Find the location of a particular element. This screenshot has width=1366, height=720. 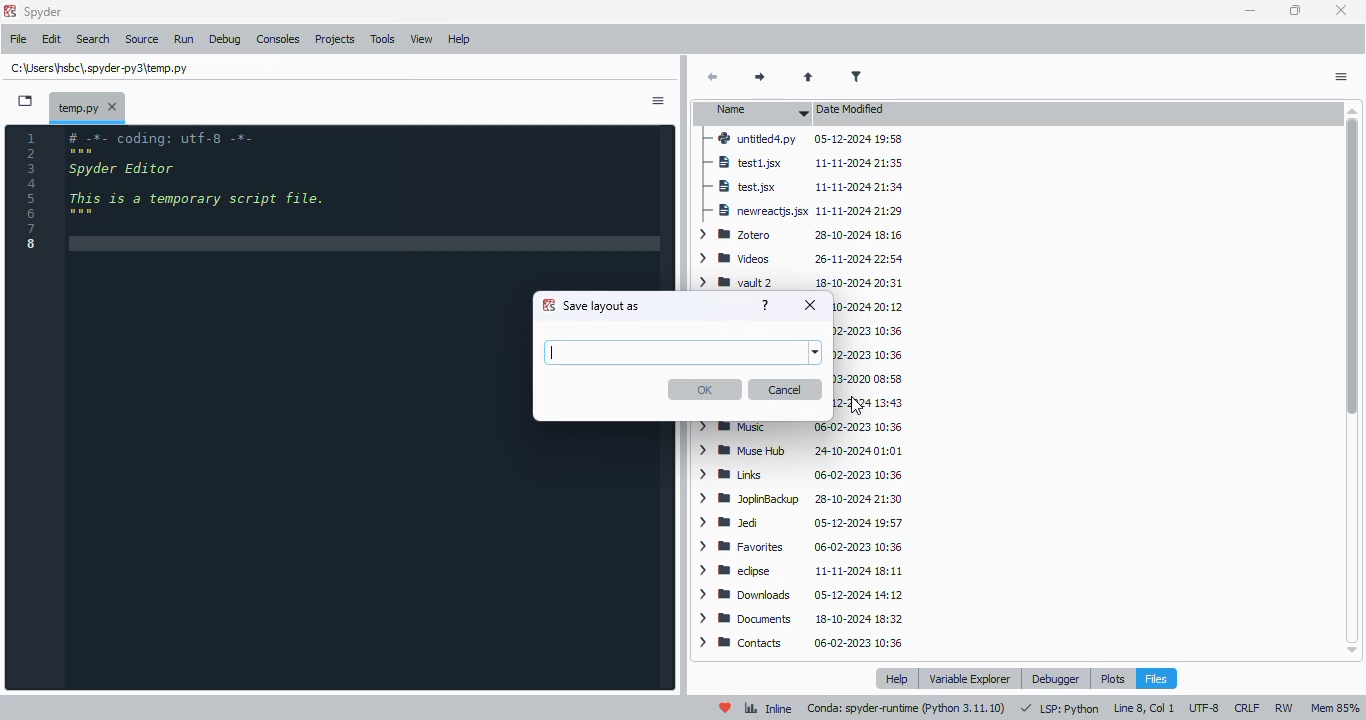

view is located at coordinates (422, 40).